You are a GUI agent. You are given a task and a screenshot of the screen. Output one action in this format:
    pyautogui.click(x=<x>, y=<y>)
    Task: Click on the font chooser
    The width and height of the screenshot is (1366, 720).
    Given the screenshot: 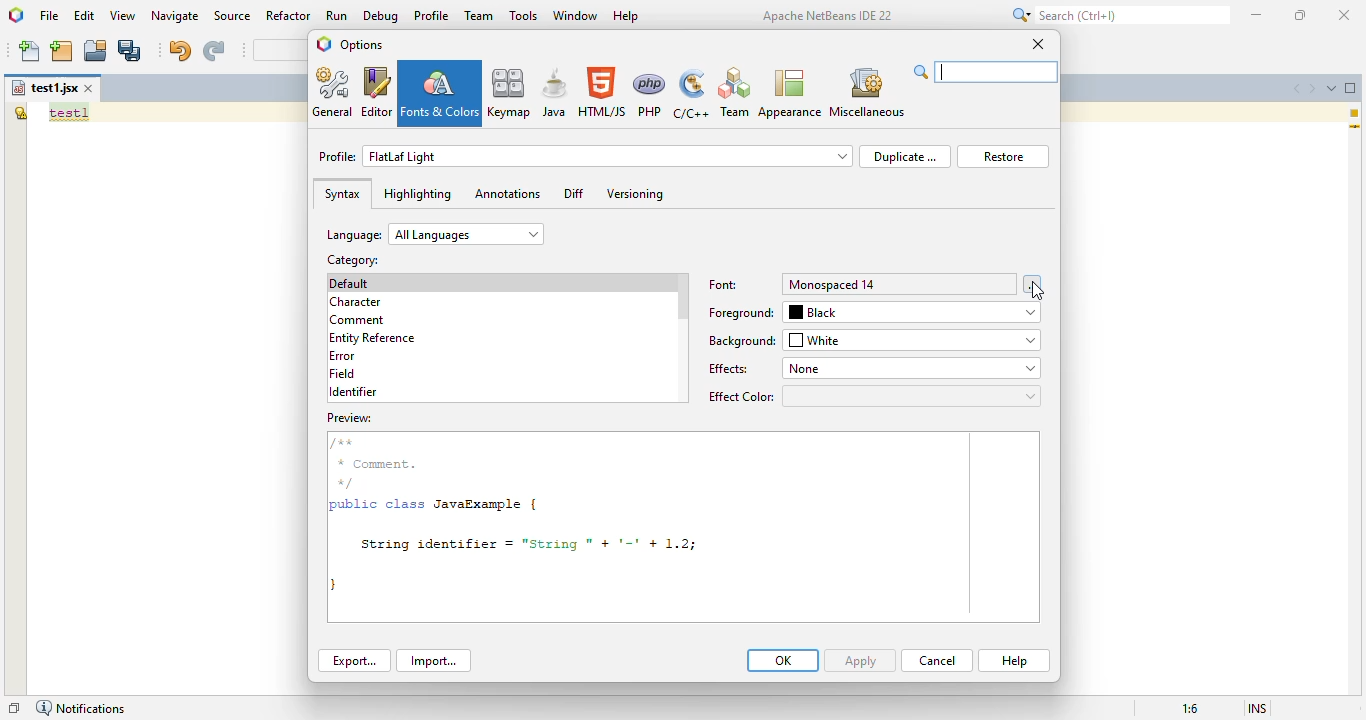 What is the action you would take?
    pyautogui.click(x=1031, y=284)
    